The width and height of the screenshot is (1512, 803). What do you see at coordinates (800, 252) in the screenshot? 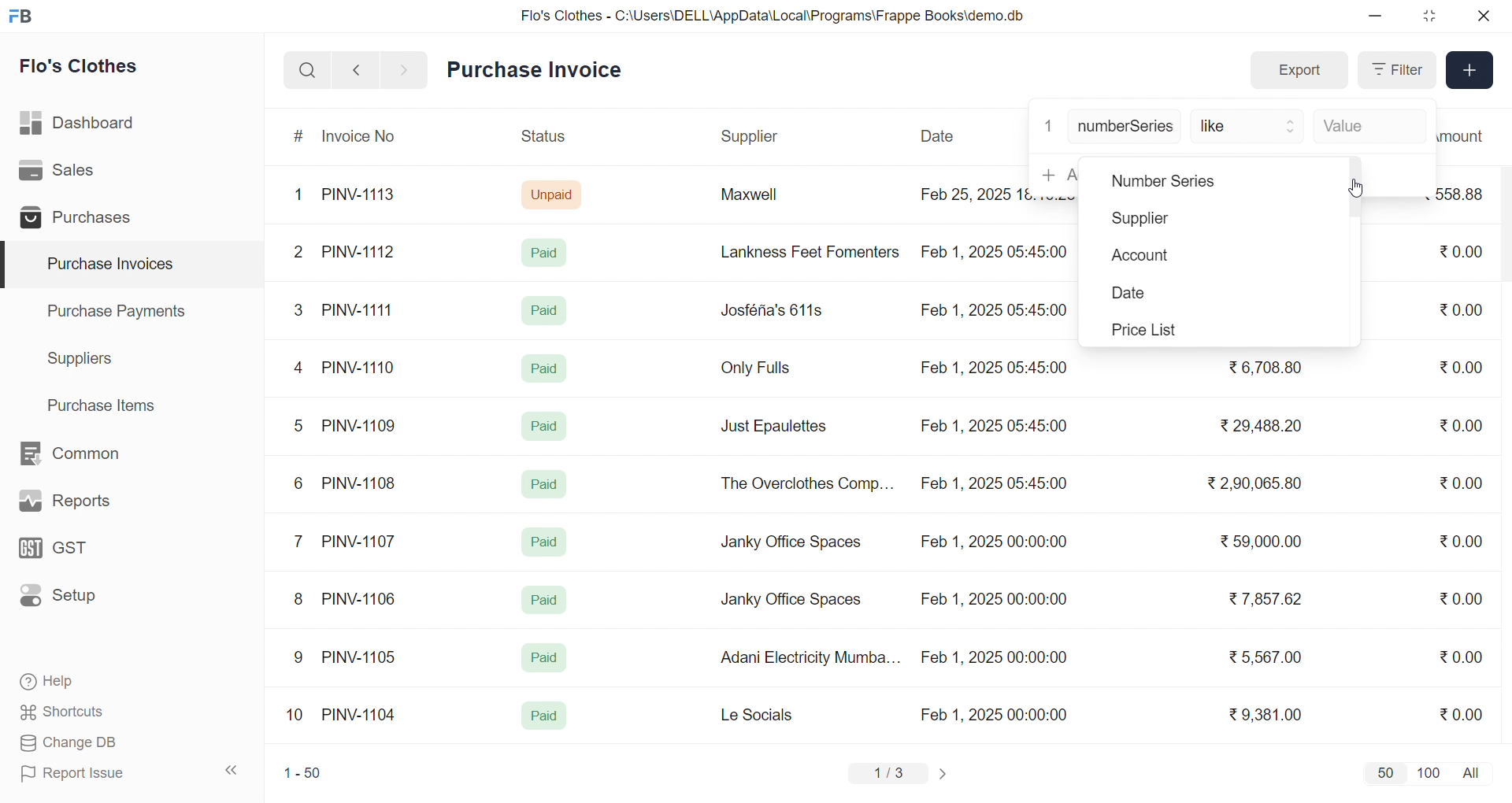
I see `Lankness Feet Fomenters` at bounding box center [800, 252].